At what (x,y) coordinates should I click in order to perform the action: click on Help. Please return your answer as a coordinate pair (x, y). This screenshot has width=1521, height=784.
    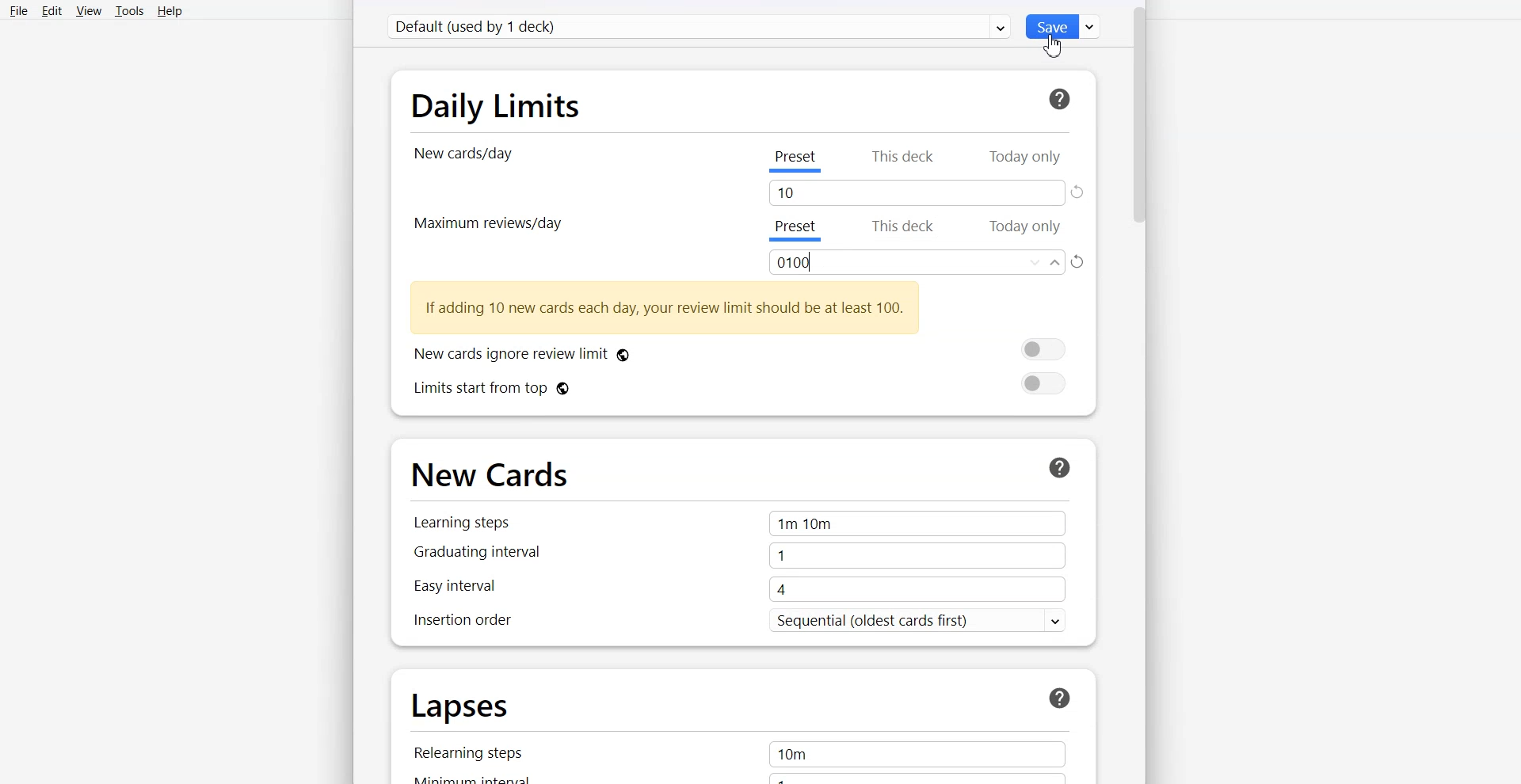
    Looking at the image, I should click on (1056, 100).